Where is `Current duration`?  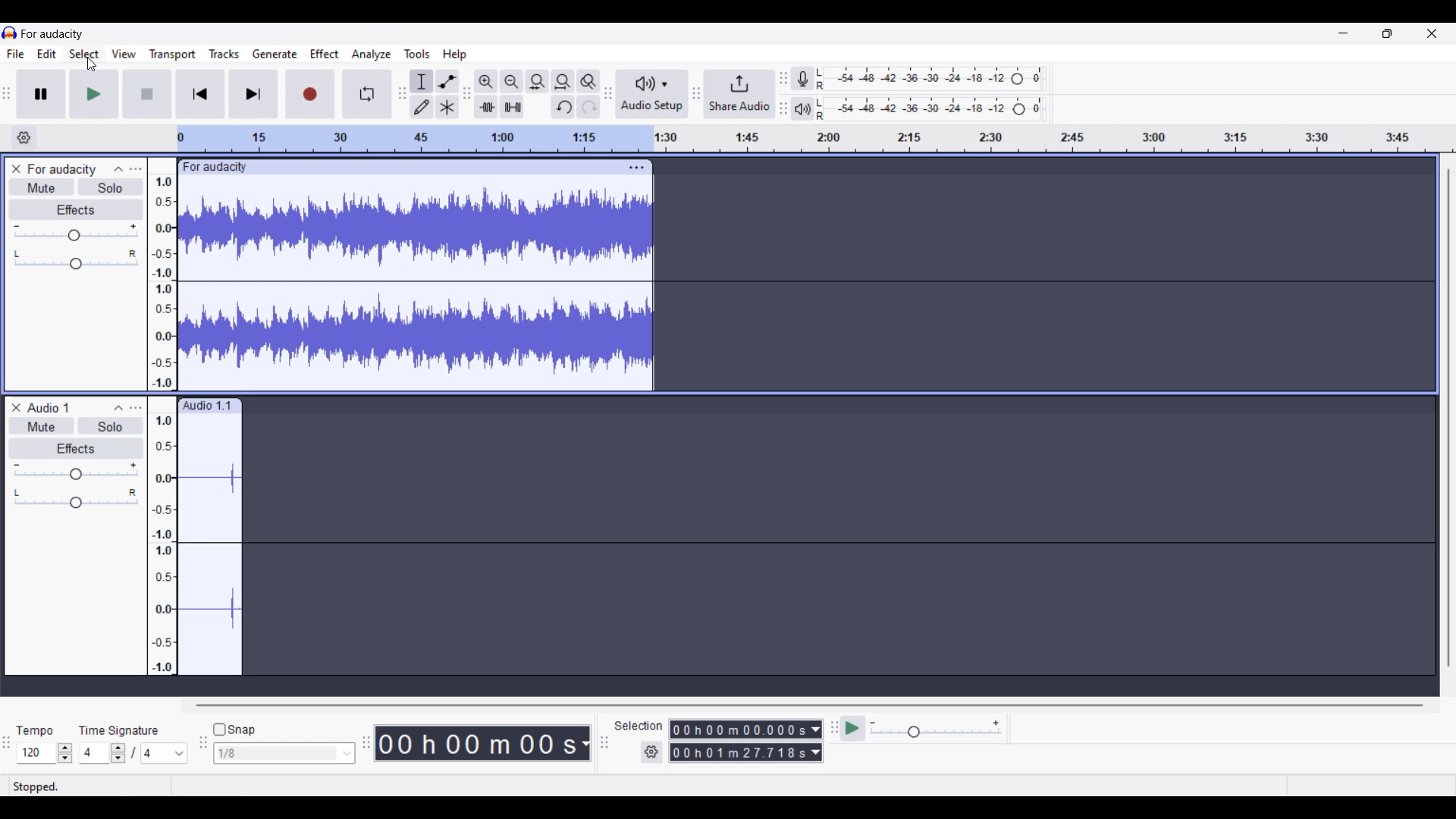
Current duration is located at coordinates (476, 743).